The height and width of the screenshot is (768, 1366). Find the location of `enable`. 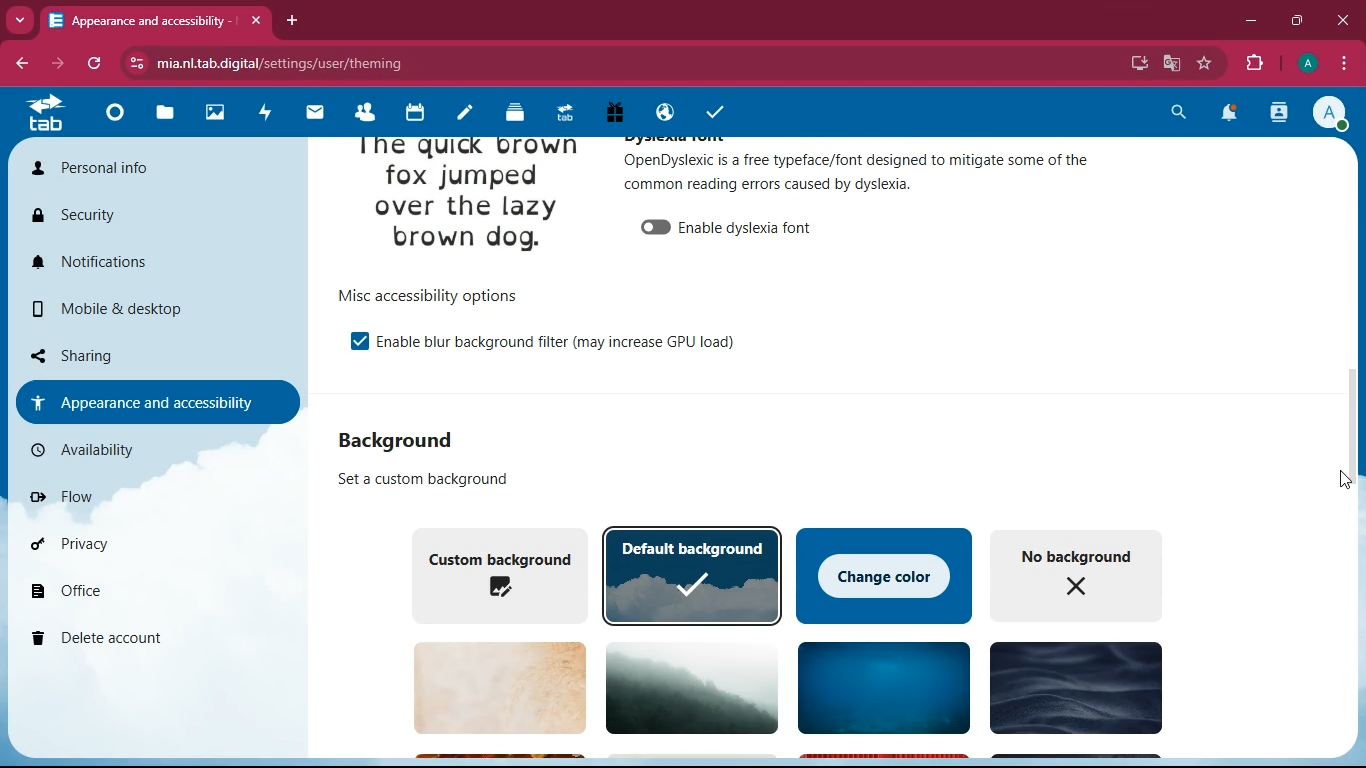

enable is located at coordinates (557, 340).